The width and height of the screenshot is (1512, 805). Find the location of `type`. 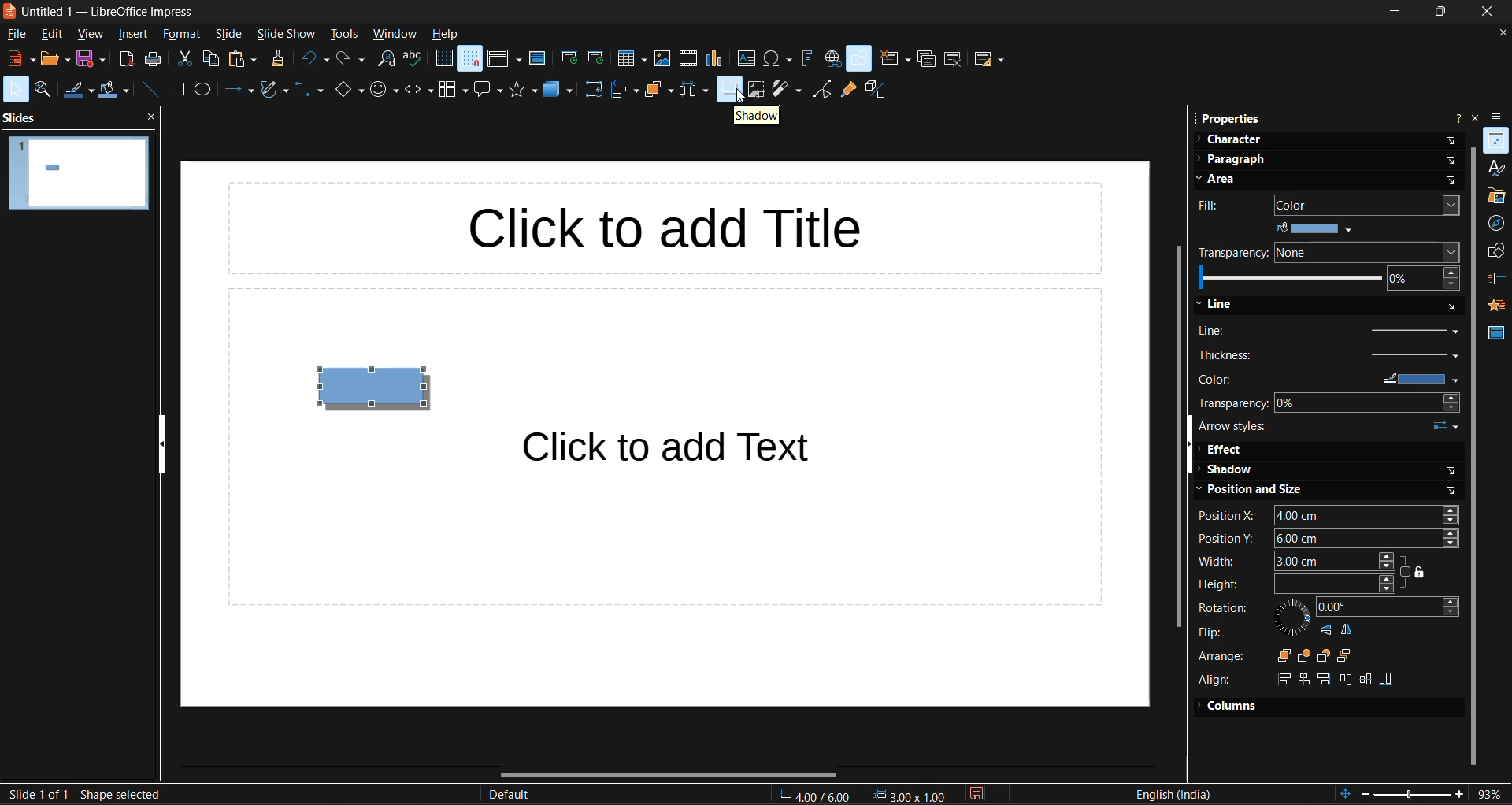

type is located at coordinates (1372, 252).